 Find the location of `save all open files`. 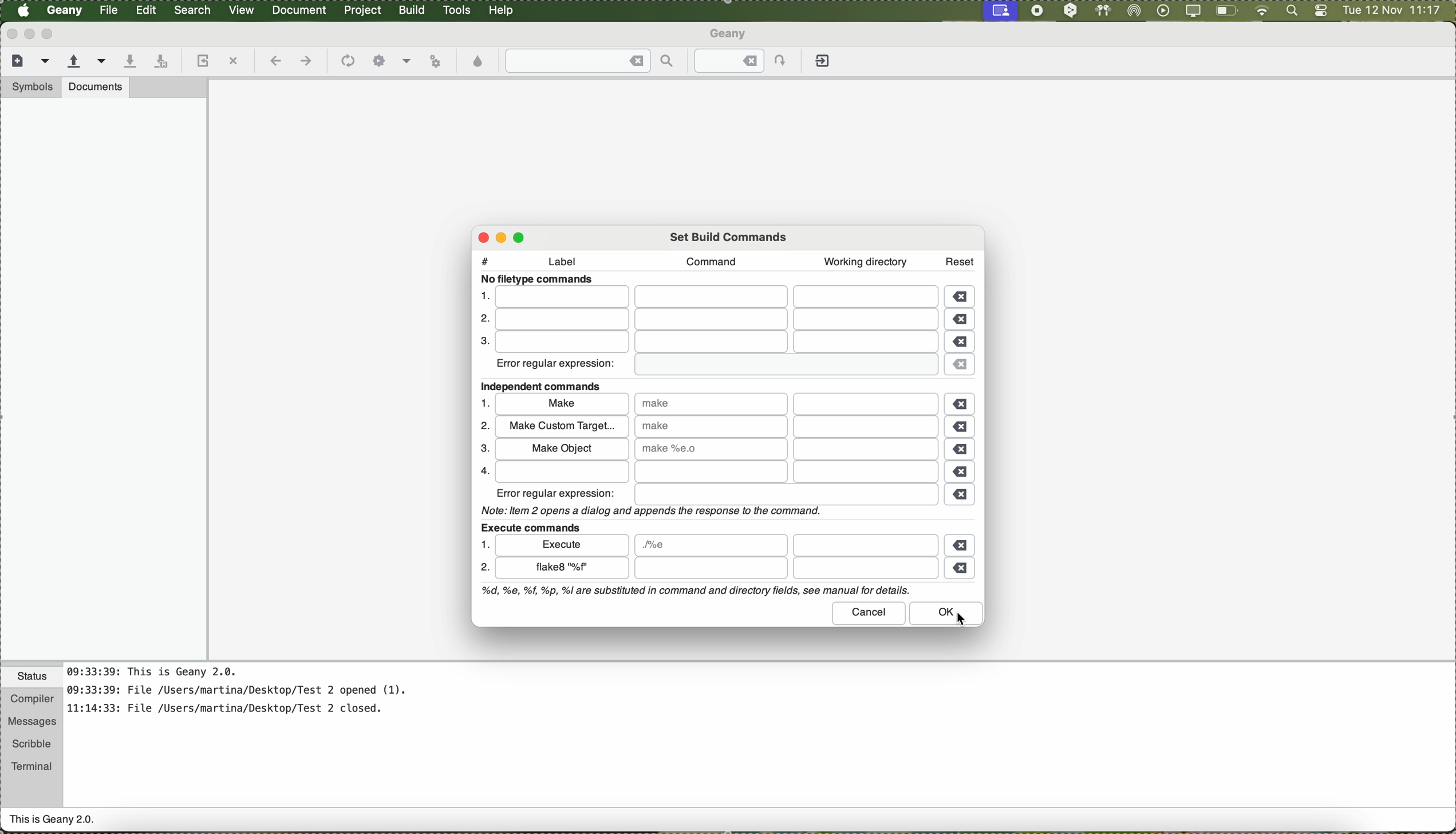

save all open files is located at coordinates (159, 62).